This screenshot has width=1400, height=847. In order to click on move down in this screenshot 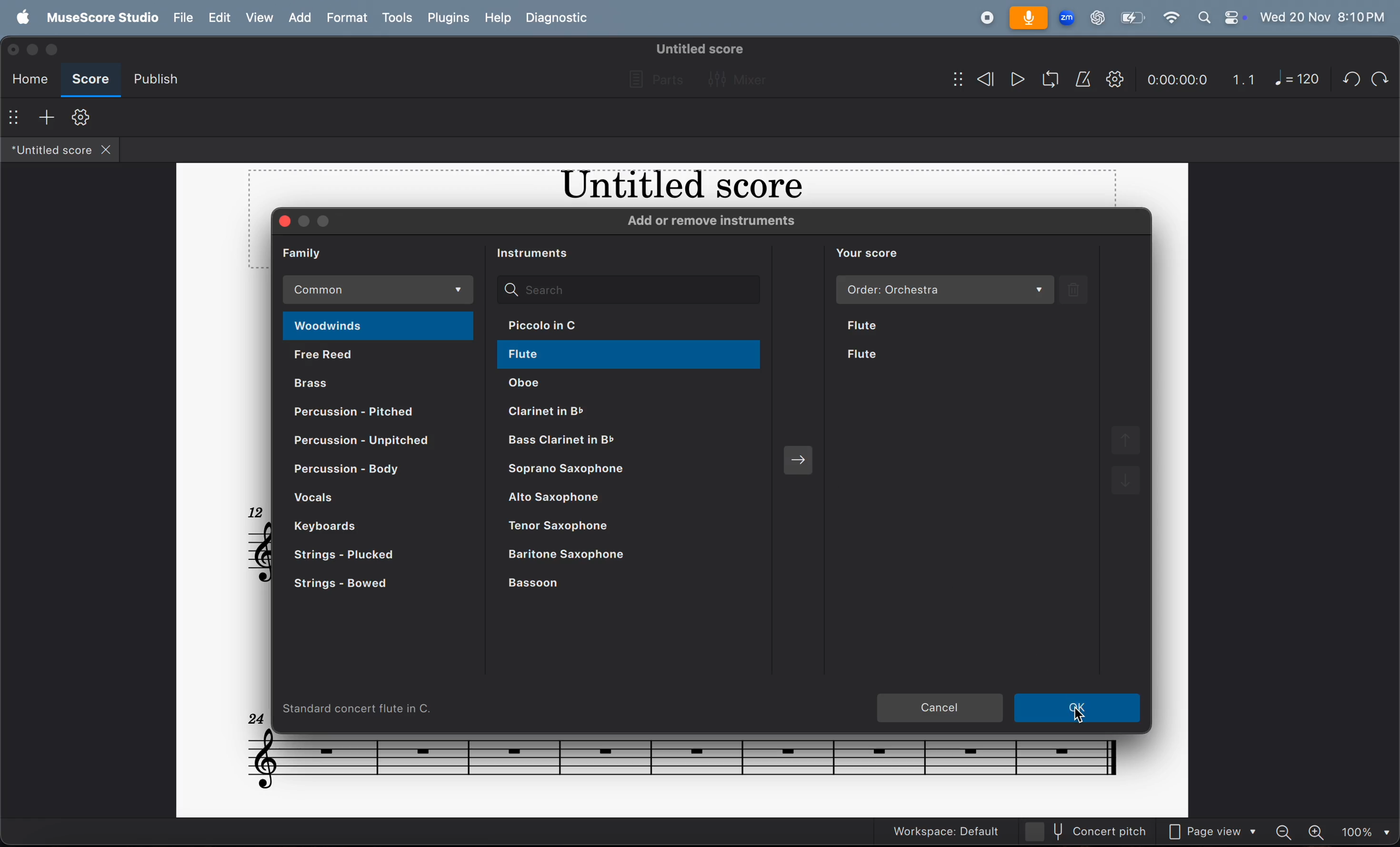, I will do `click(1127, 485)`.